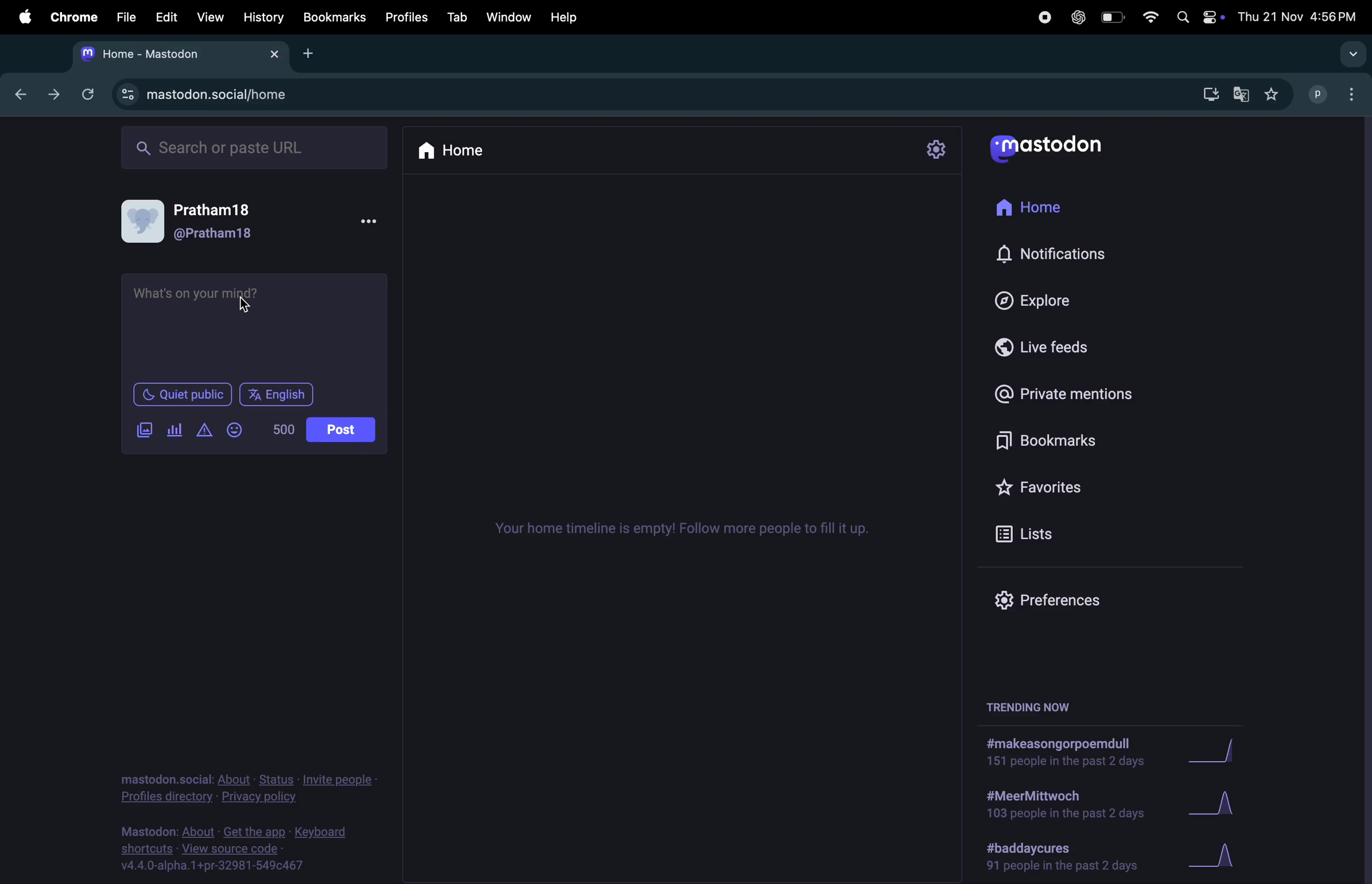 The height and width of the screenshot is (884, 1372). What do you see at coordinates (281, 394) in the screenshot?
I see `language` at bounding box center [281, 394].